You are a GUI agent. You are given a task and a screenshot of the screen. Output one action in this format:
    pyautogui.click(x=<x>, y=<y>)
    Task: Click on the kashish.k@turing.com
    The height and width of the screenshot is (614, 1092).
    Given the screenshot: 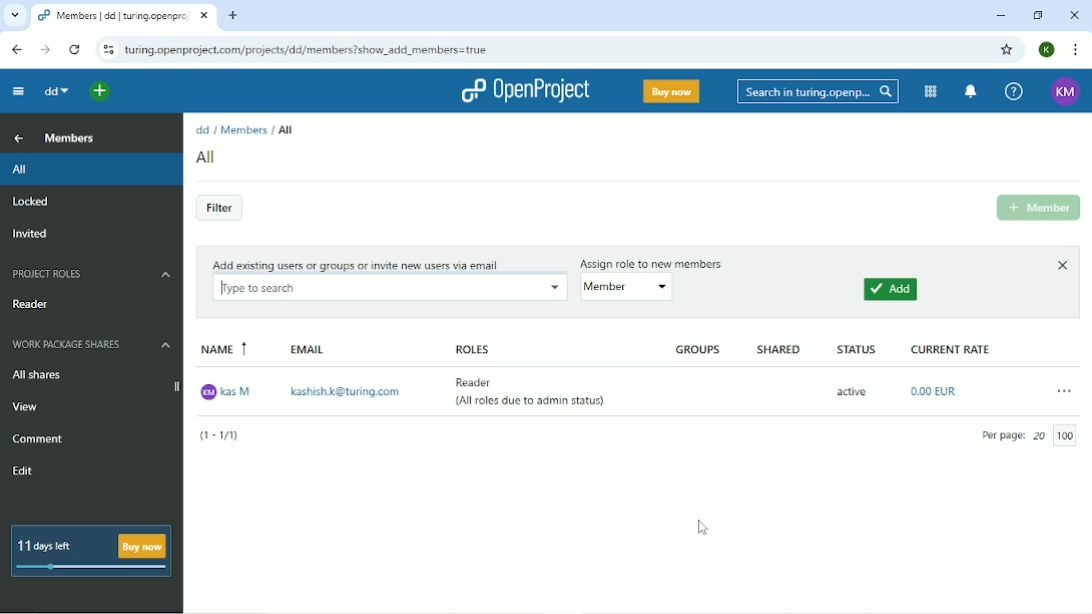 What is the action you would take?
    pyautogui.click(x=347, y=393)
    